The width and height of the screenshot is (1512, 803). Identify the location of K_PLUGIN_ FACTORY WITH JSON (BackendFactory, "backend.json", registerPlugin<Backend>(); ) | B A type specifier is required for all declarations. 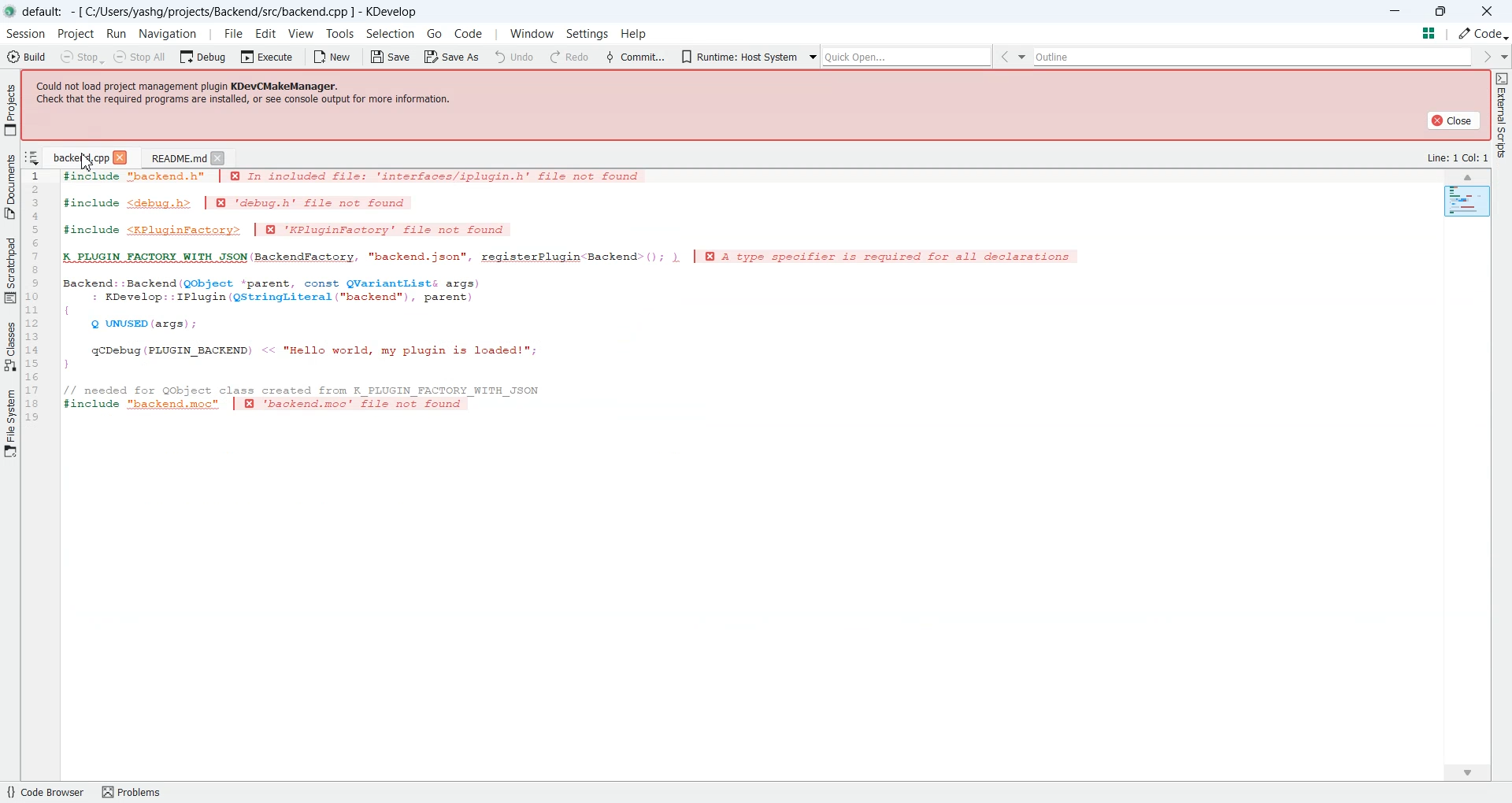
(583, 256).